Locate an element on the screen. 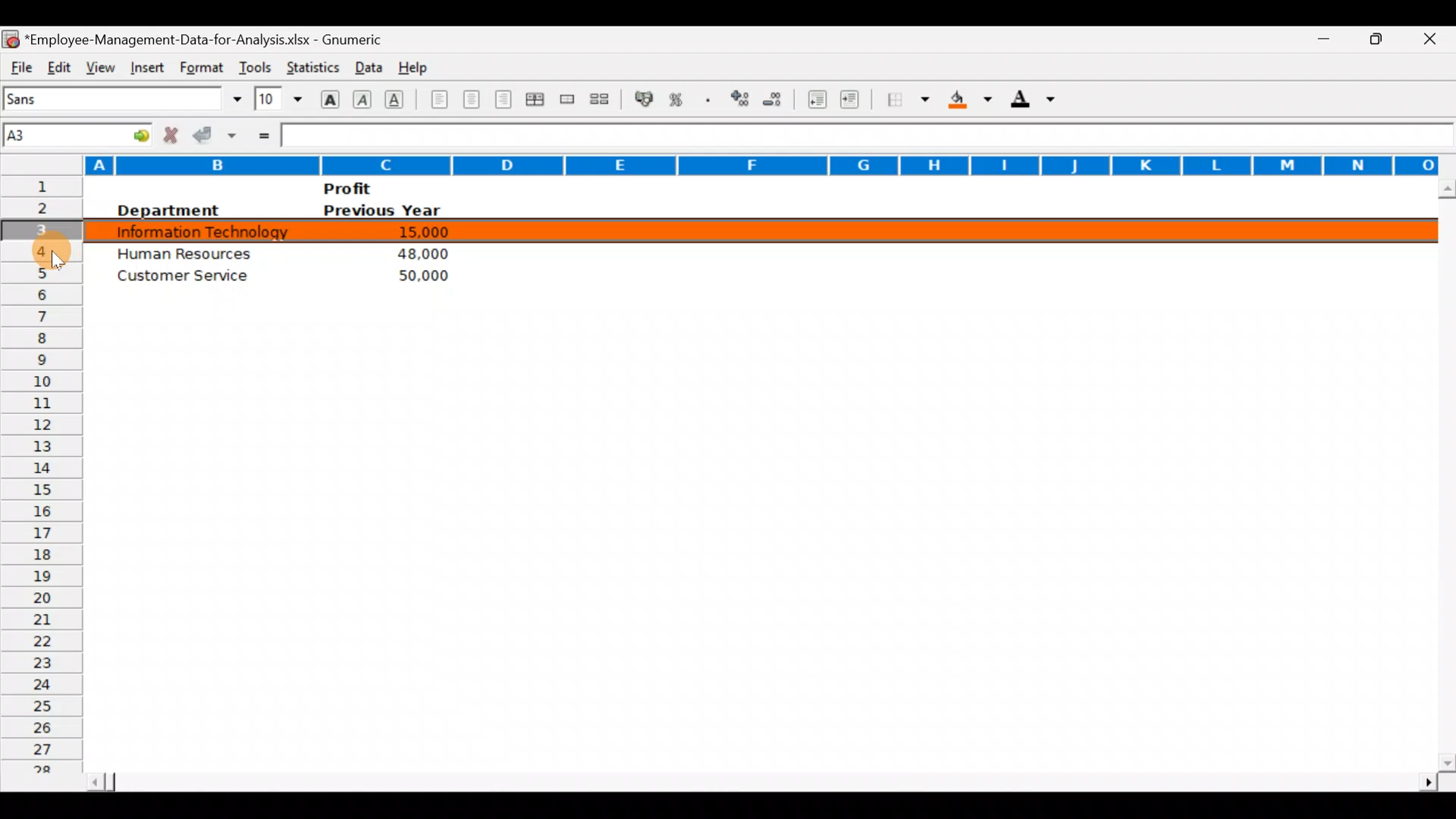 This screenshot has width=1456, height=819. File is located at coordinates (20, 65).